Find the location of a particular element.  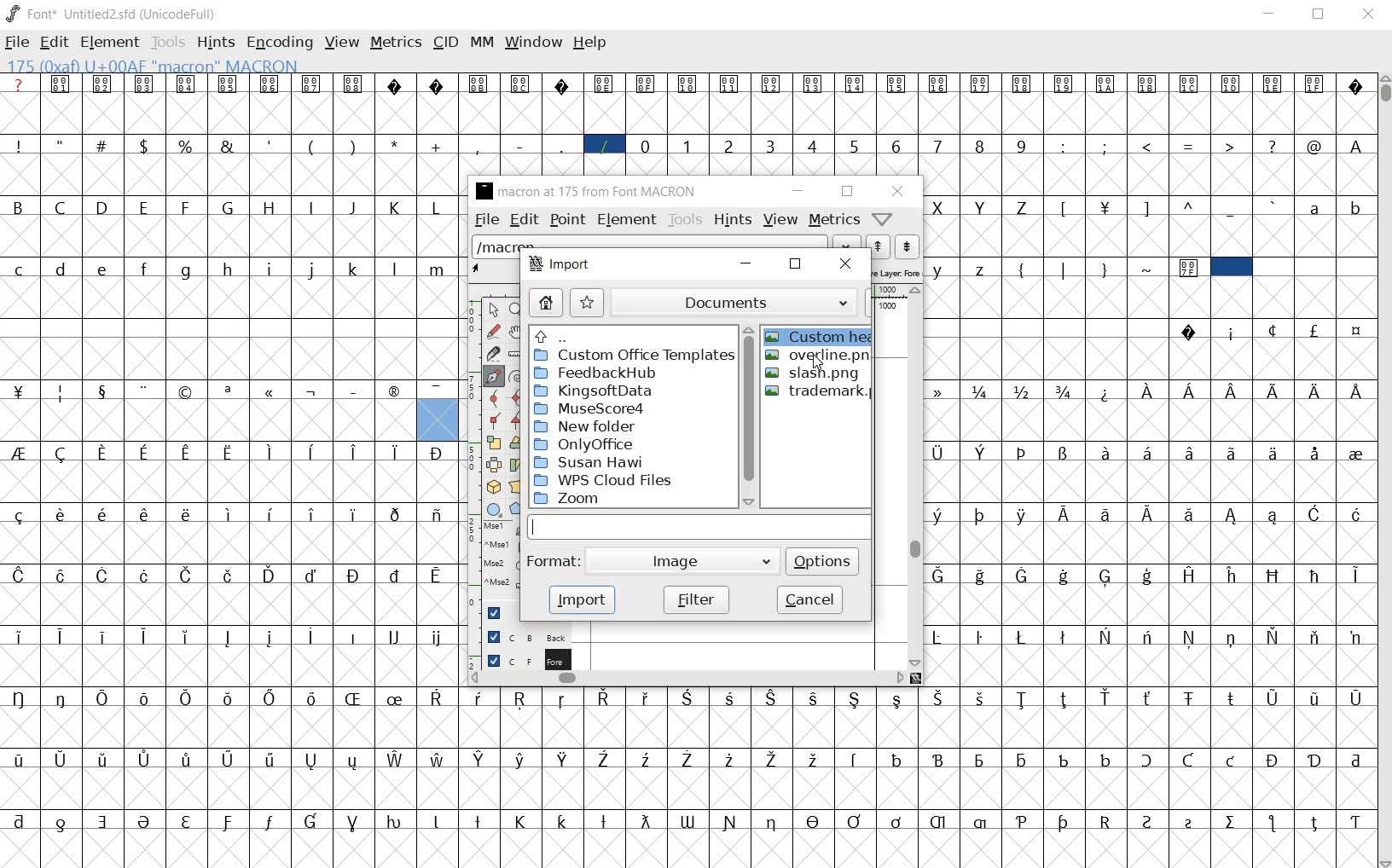

Symbol is located at coordinates (687, 758).